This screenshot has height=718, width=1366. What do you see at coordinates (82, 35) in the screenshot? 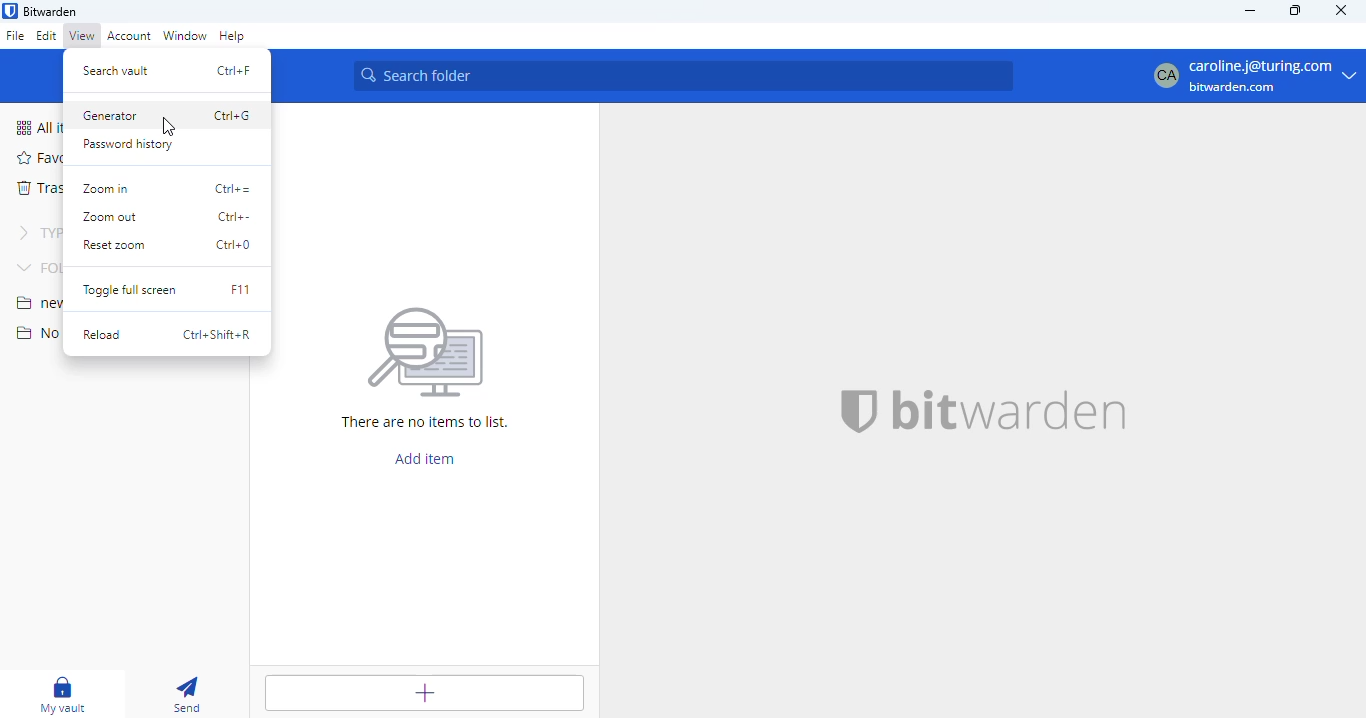
I see `view` at bounding box center [82, 35].